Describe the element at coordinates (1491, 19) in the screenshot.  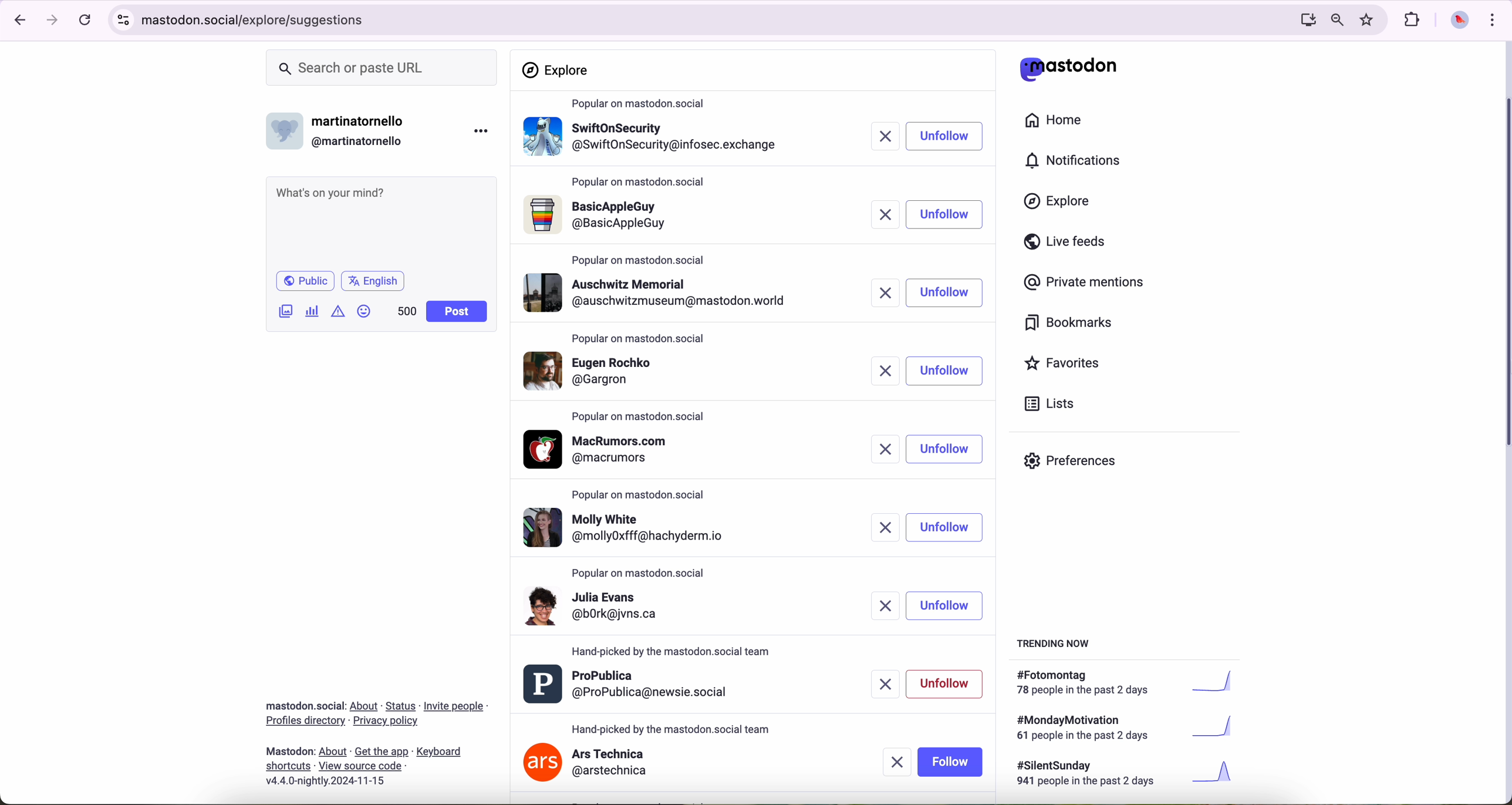
I see `customize and control Google Chrome` at that location.